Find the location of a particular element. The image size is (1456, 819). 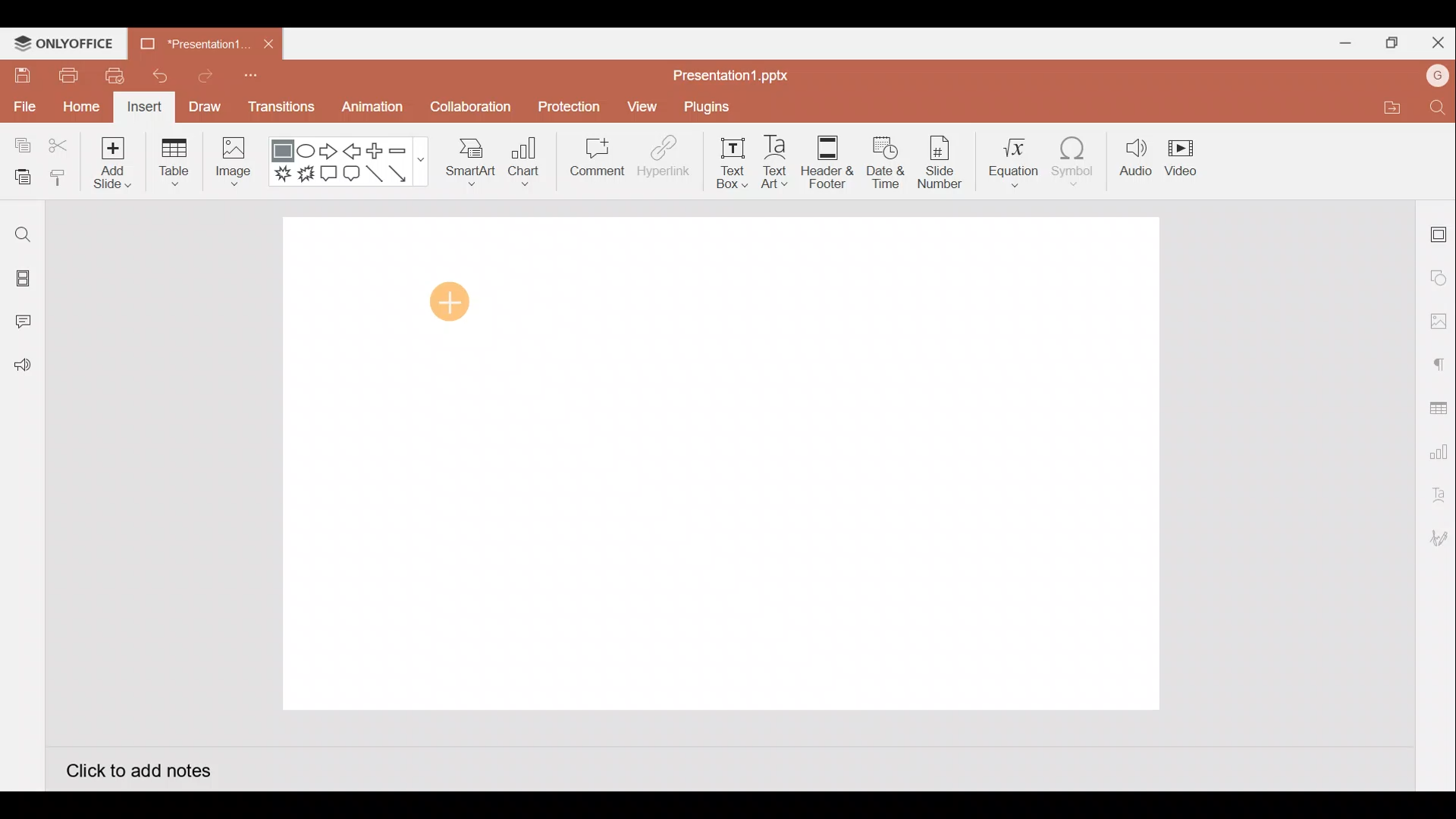

Collaboration is located at coordinates (469, 113).